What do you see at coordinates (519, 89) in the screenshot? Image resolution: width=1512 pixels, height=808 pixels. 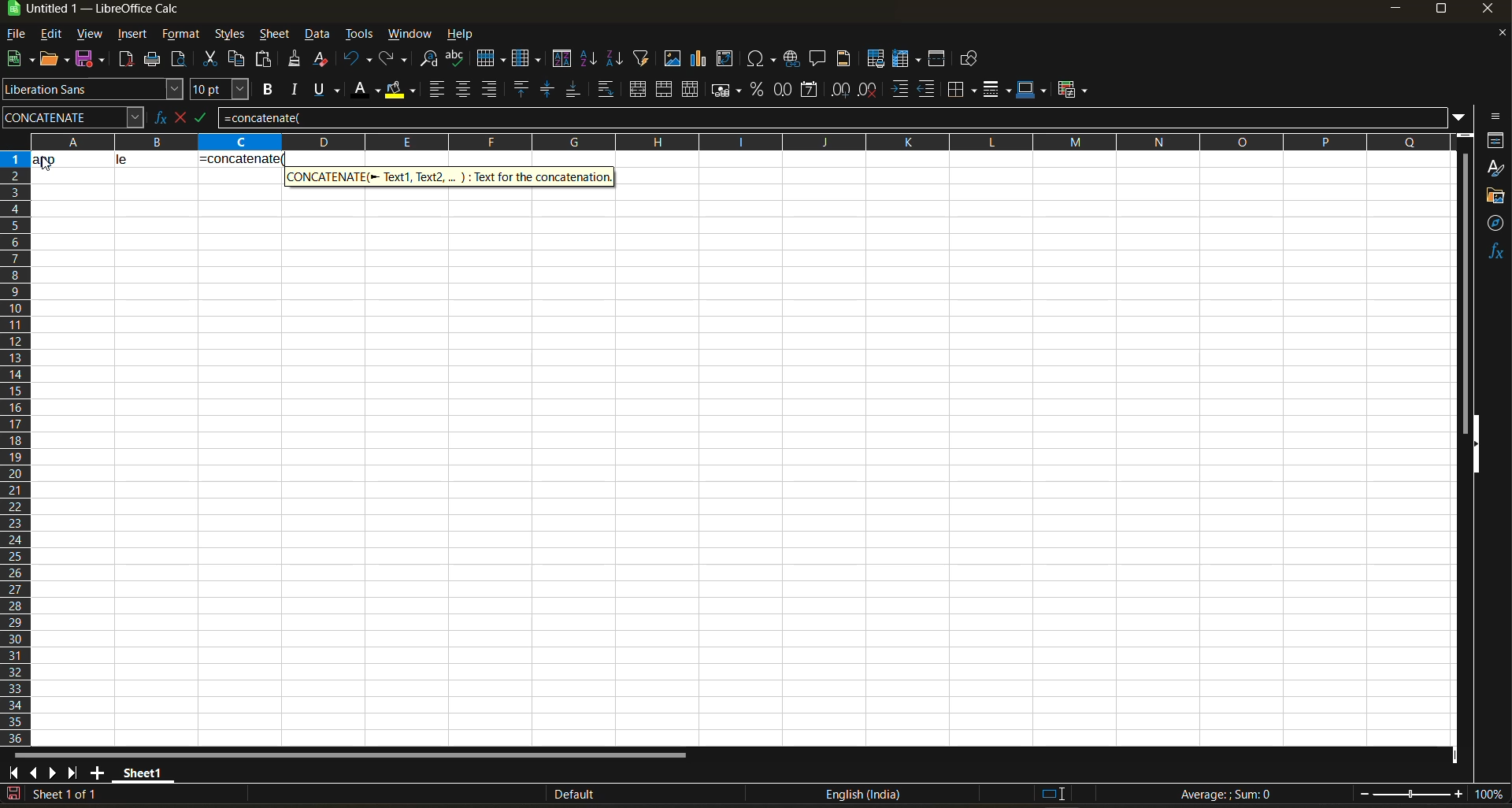 I see `align top` at bounding box center [519, 89].